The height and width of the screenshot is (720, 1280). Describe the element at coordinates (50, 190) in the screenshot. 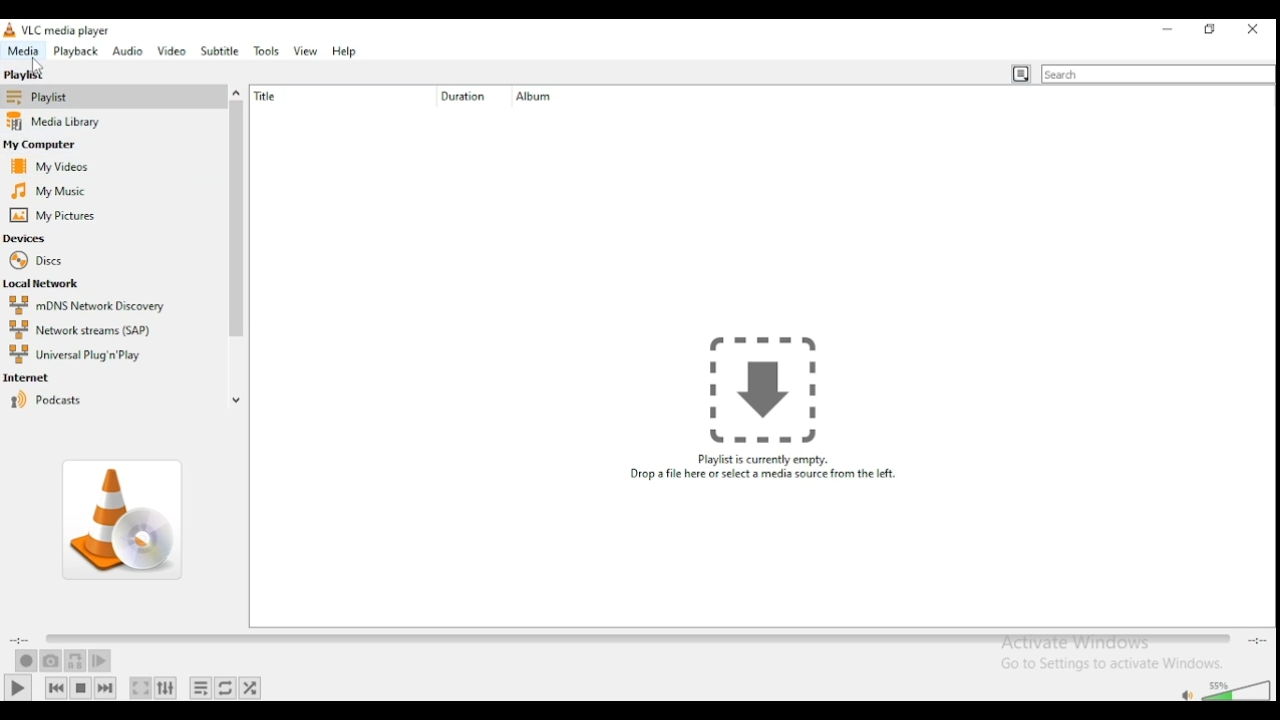

I see `my music` at that location.